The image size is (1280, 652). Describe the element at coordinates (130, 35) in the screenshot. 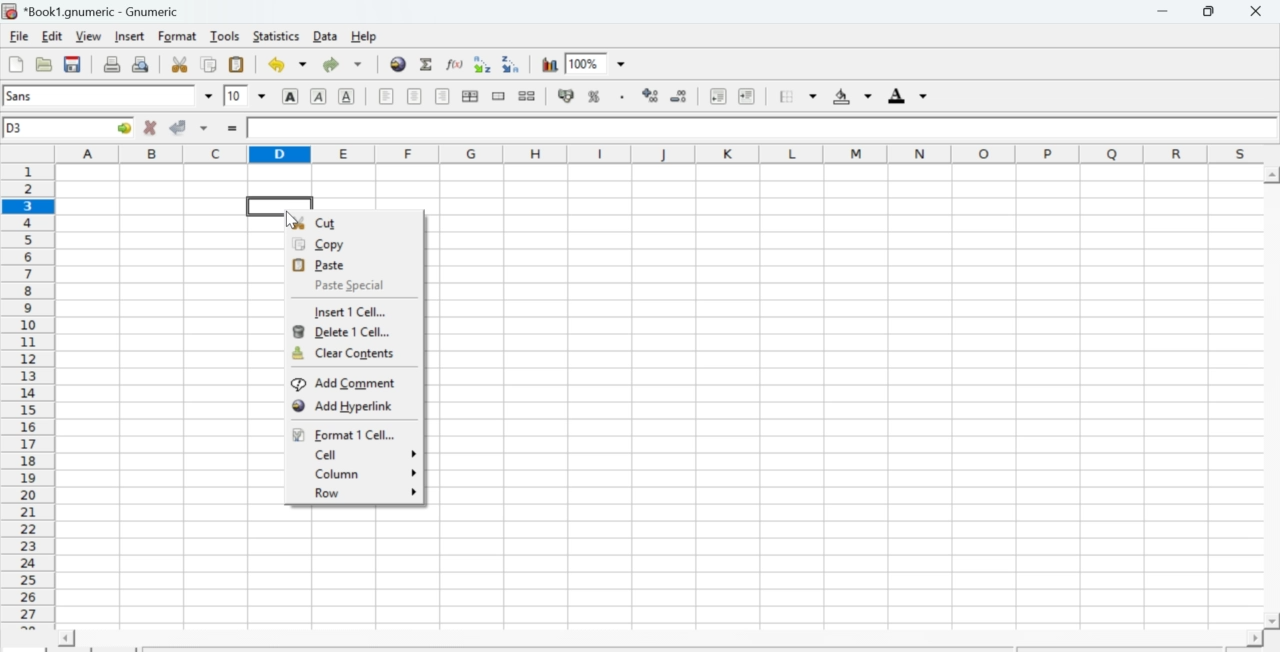

I see `Insert` at that location.